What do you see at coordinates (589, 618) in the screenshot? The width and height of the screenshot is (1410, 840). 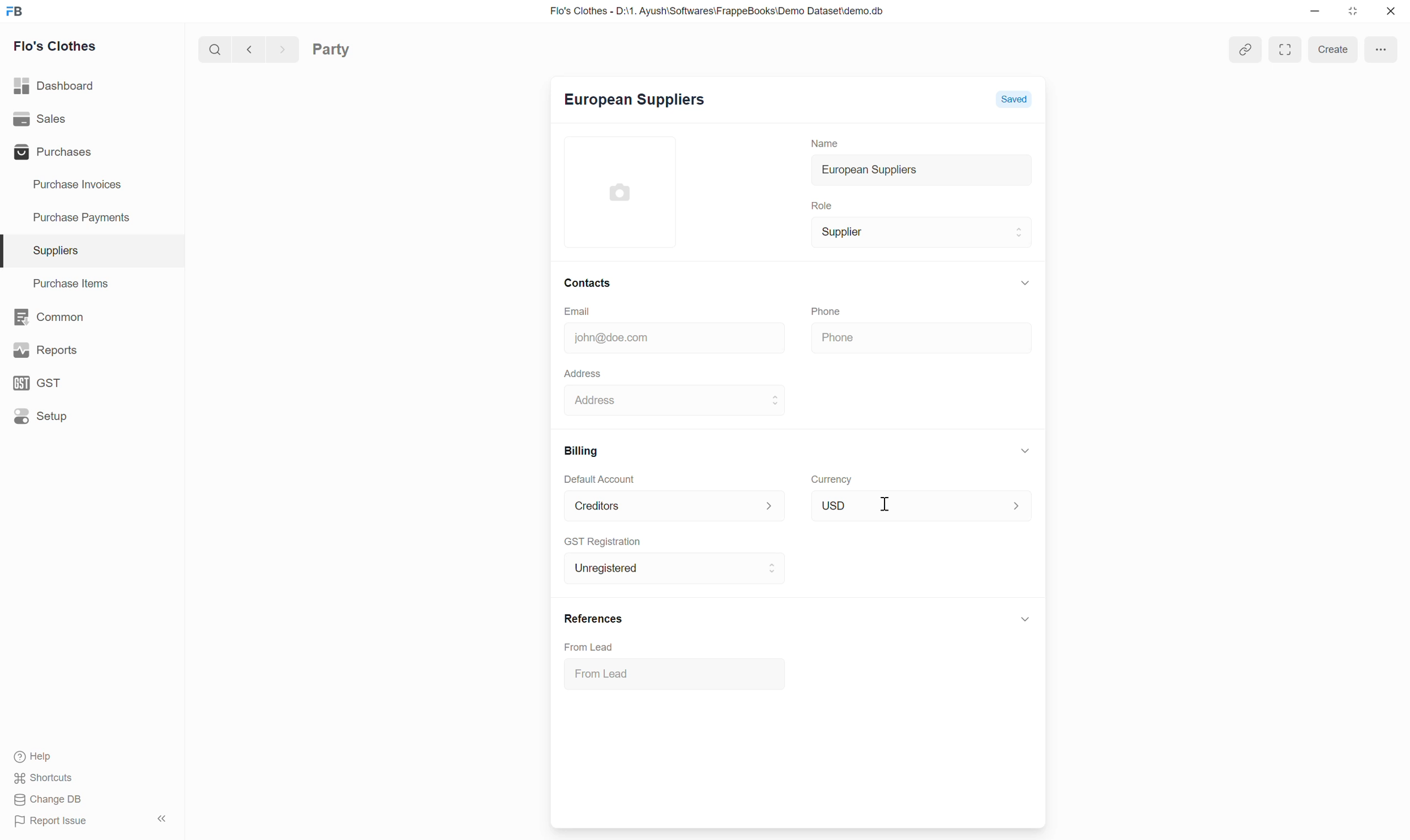 I see `References` at bounding box center [589, 618].